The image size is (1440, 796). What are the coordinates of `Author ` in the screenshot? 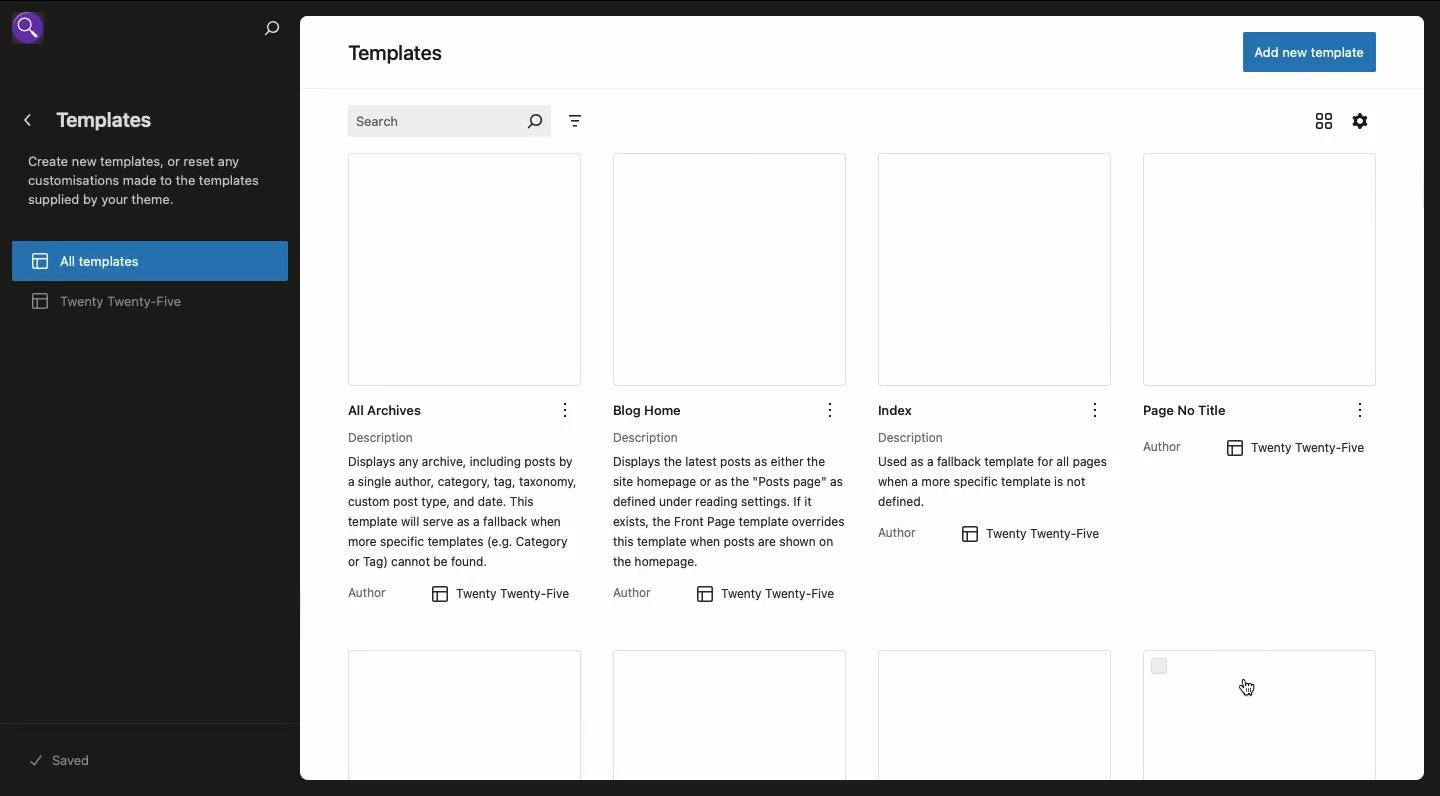 It's located at (636, 593).